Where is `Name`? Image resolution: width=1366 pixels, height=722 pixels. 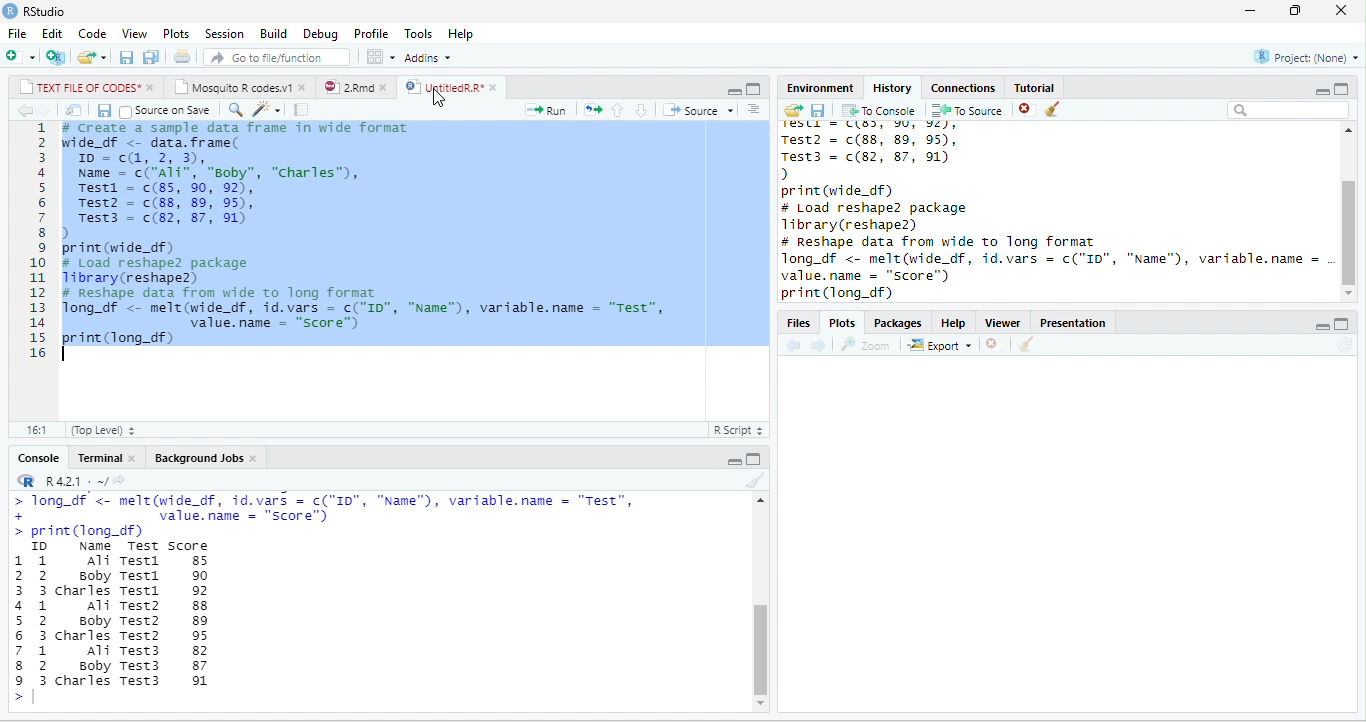 Name is located at coordinates (94, 546).